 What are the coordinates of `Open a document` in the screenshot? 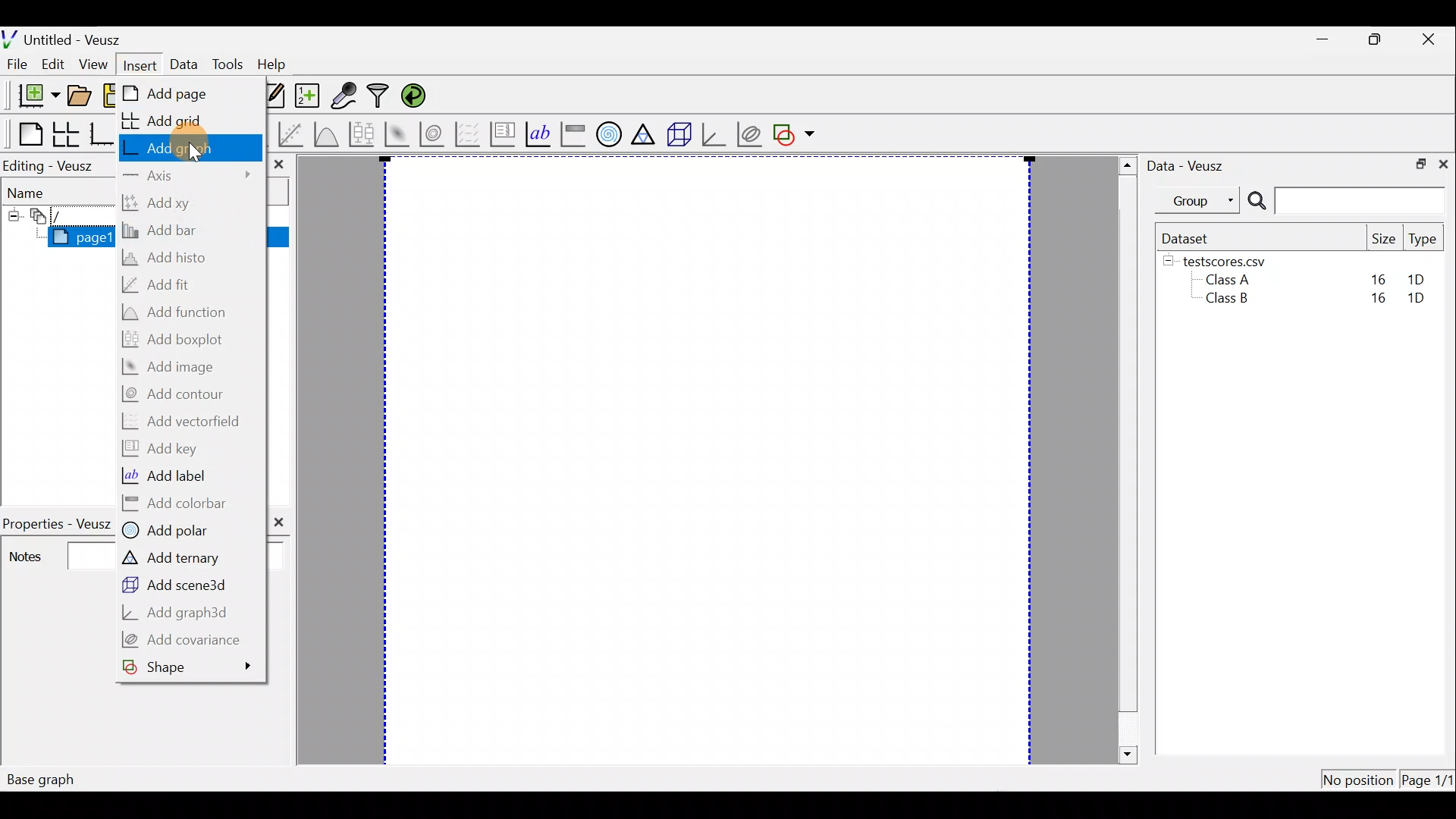 It's located at (79, 94).